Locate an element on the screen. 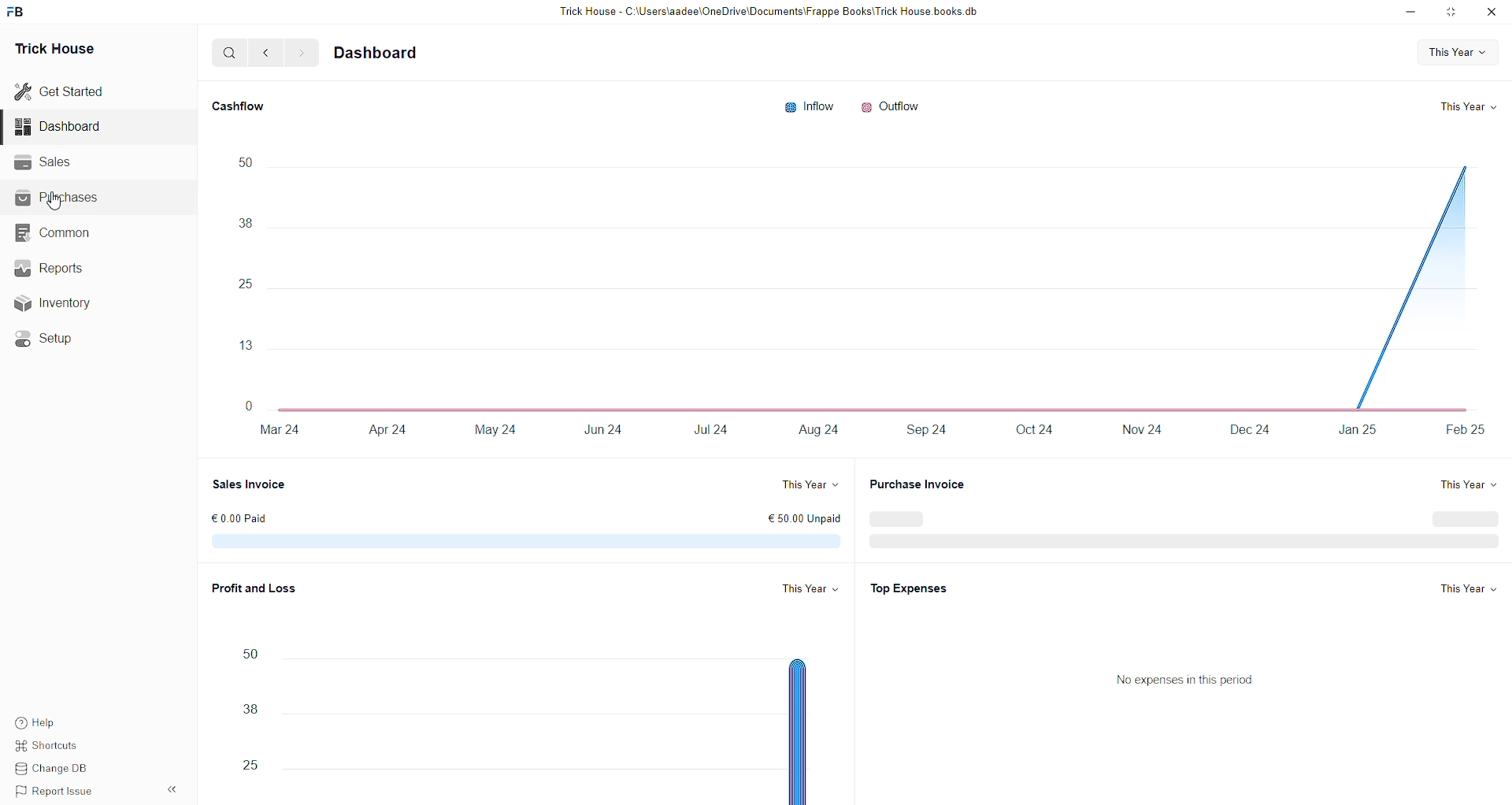 This screenshot has width=1512, height=805. This Year  is located at coordinates (1464, 105).